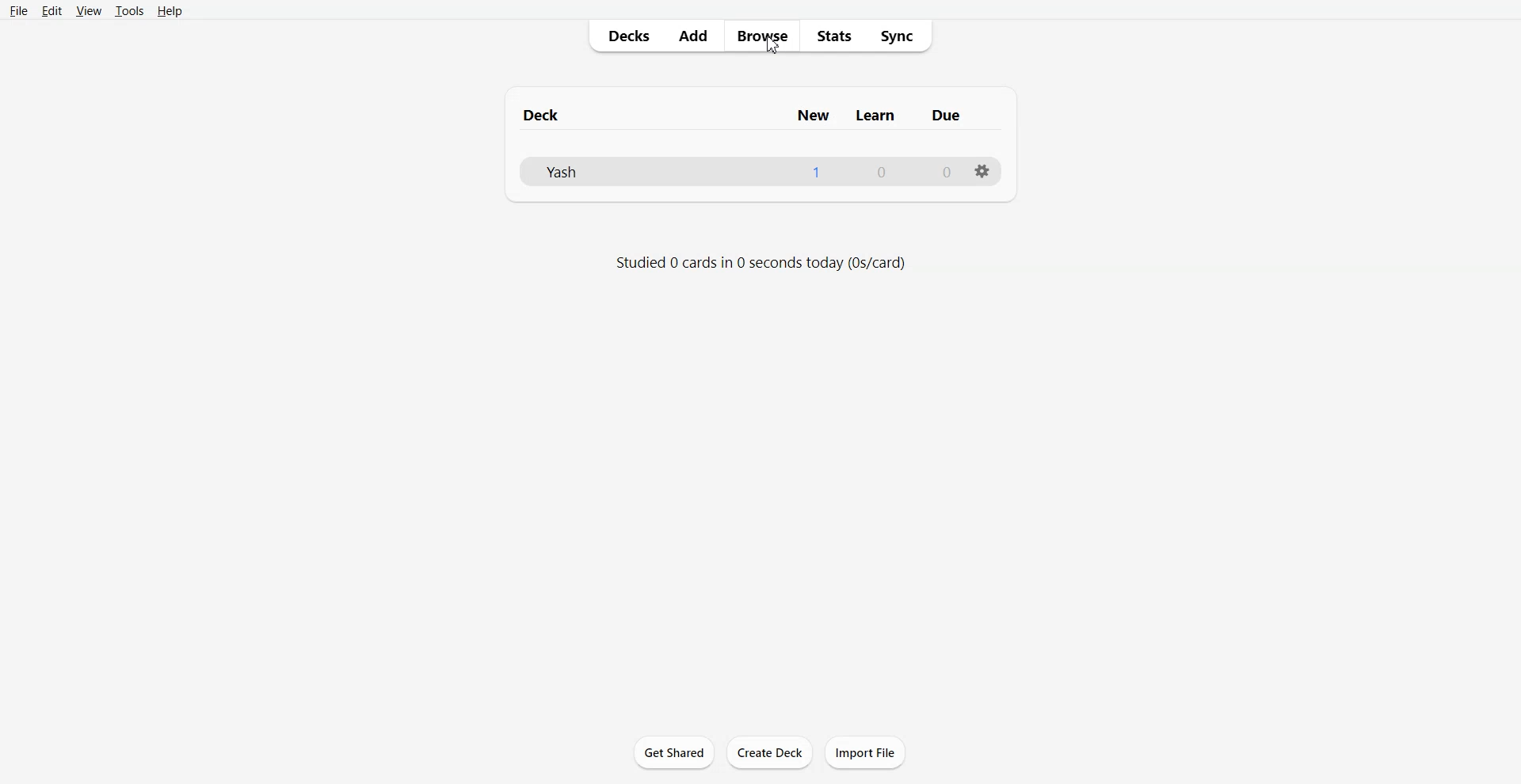 This screenshot has width=1521, height=784. What do you see at coordinates (769, 753) in the screenshot?
I see `Create Deck` at bounding box center [769, 753].